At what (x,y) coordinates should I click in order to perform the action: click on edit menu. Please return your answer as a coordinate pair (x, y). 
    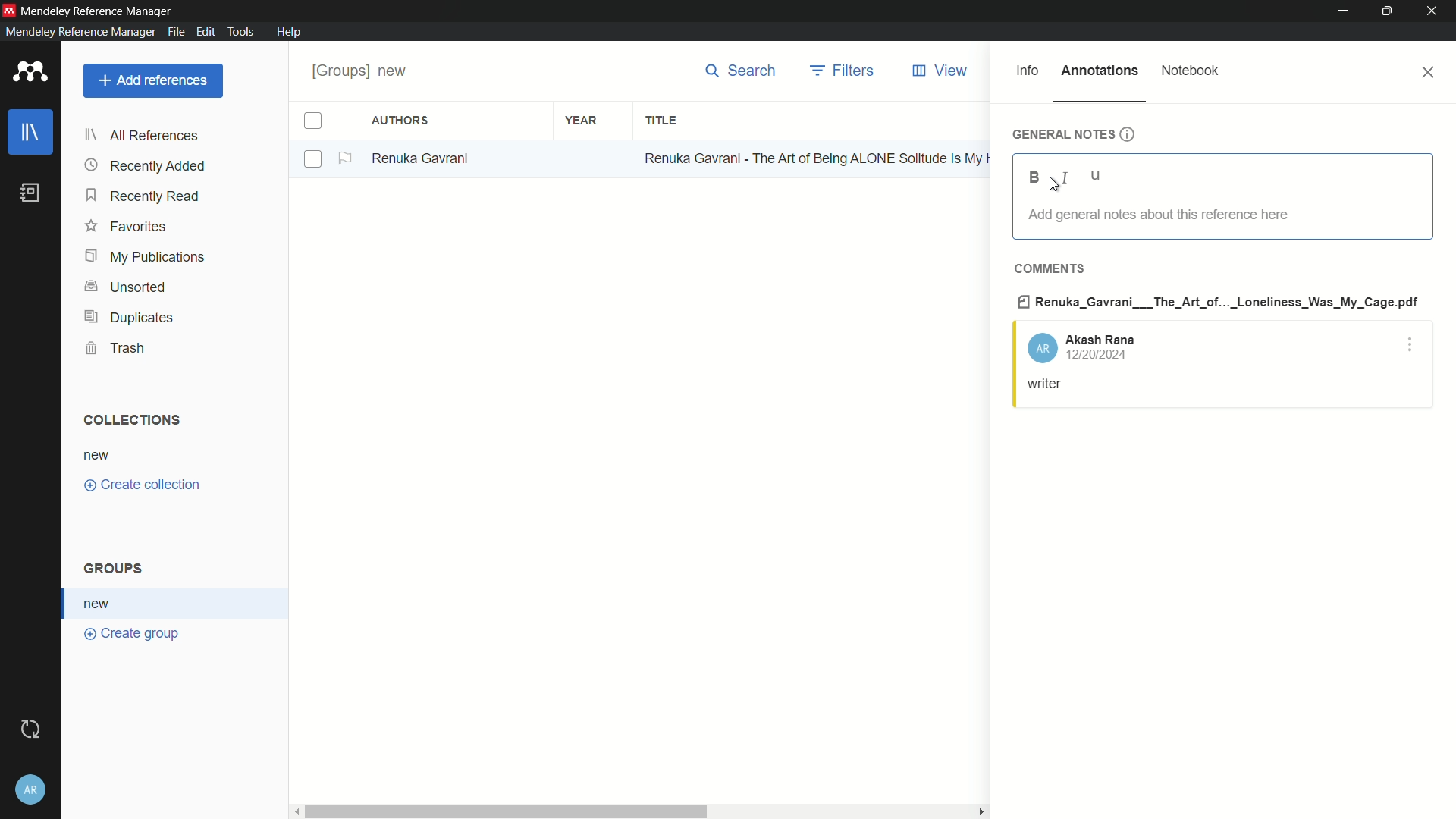
    Looking at the image, I should click on (206, 32).